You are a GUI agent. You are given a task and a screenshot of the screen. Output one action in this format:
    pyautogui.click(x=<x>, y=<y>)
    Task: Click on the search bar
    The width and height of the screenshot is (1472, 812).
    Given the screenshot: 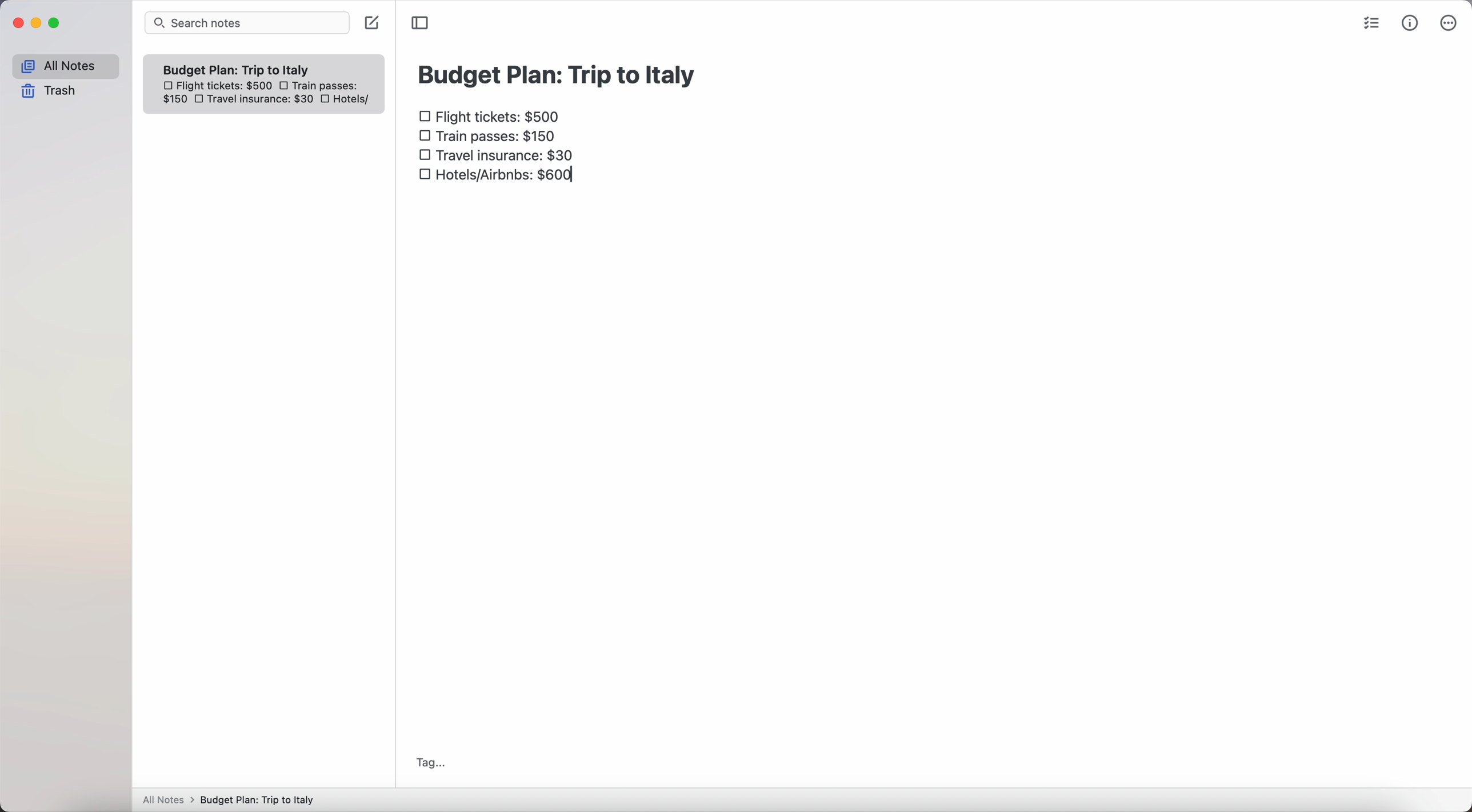 What is the action you would take?
    pyautogui.click(x=247, y=23)
    